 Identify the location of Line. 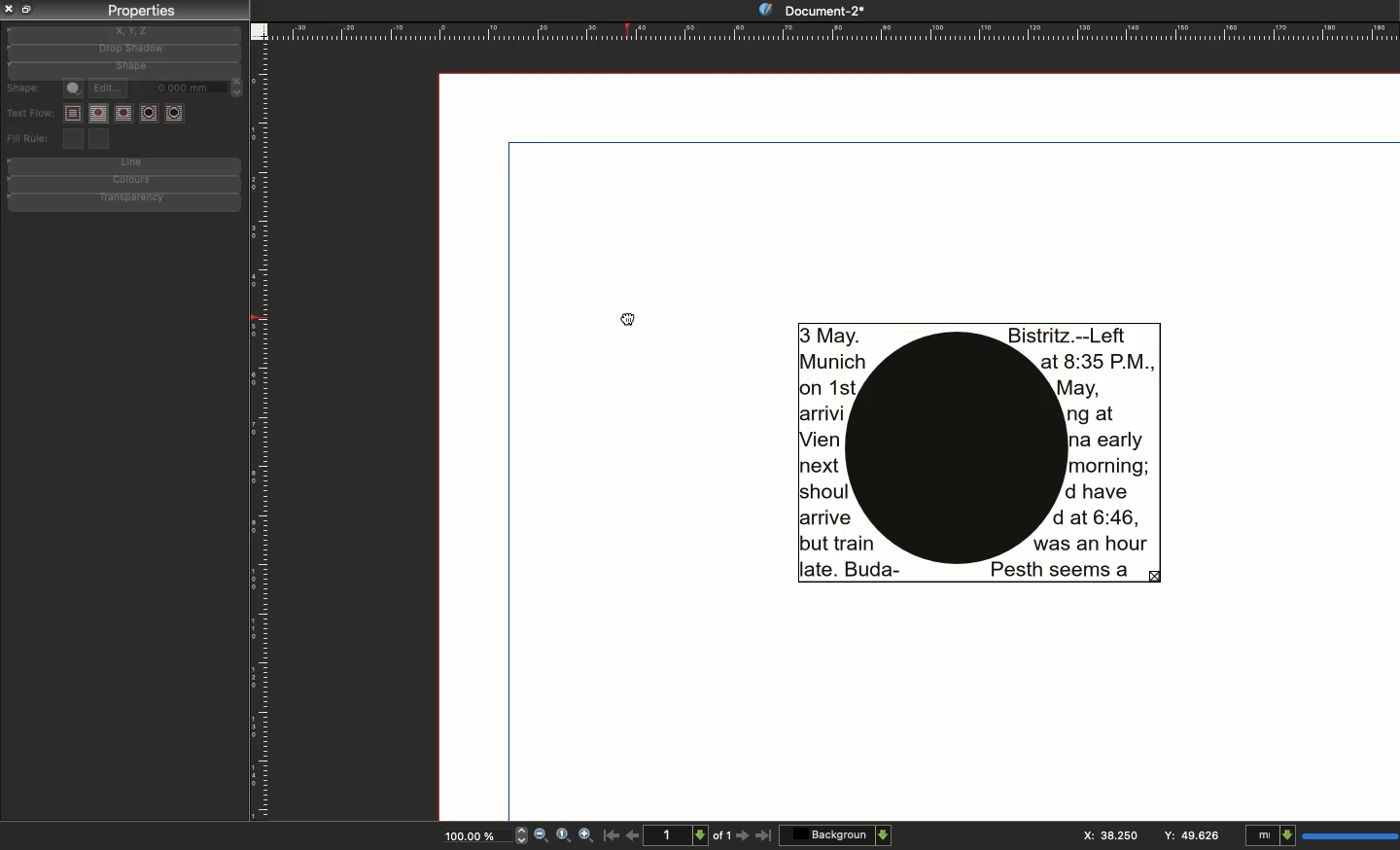
(129, 165).